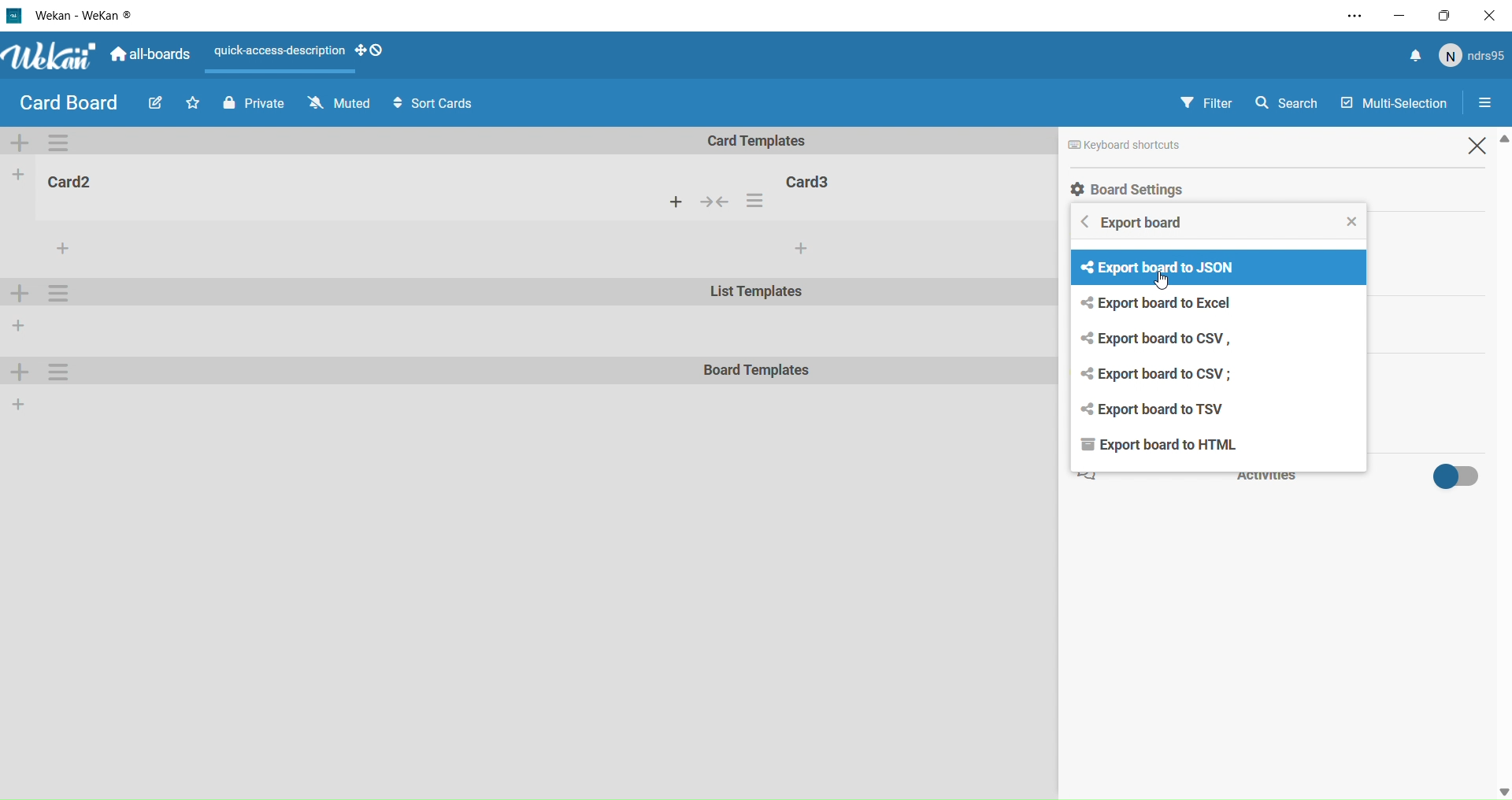 This screenshot has height=800, width=1512. Describe the element at coordinates (1452, 476) in the screenshot. I see `toggle off` at that location.